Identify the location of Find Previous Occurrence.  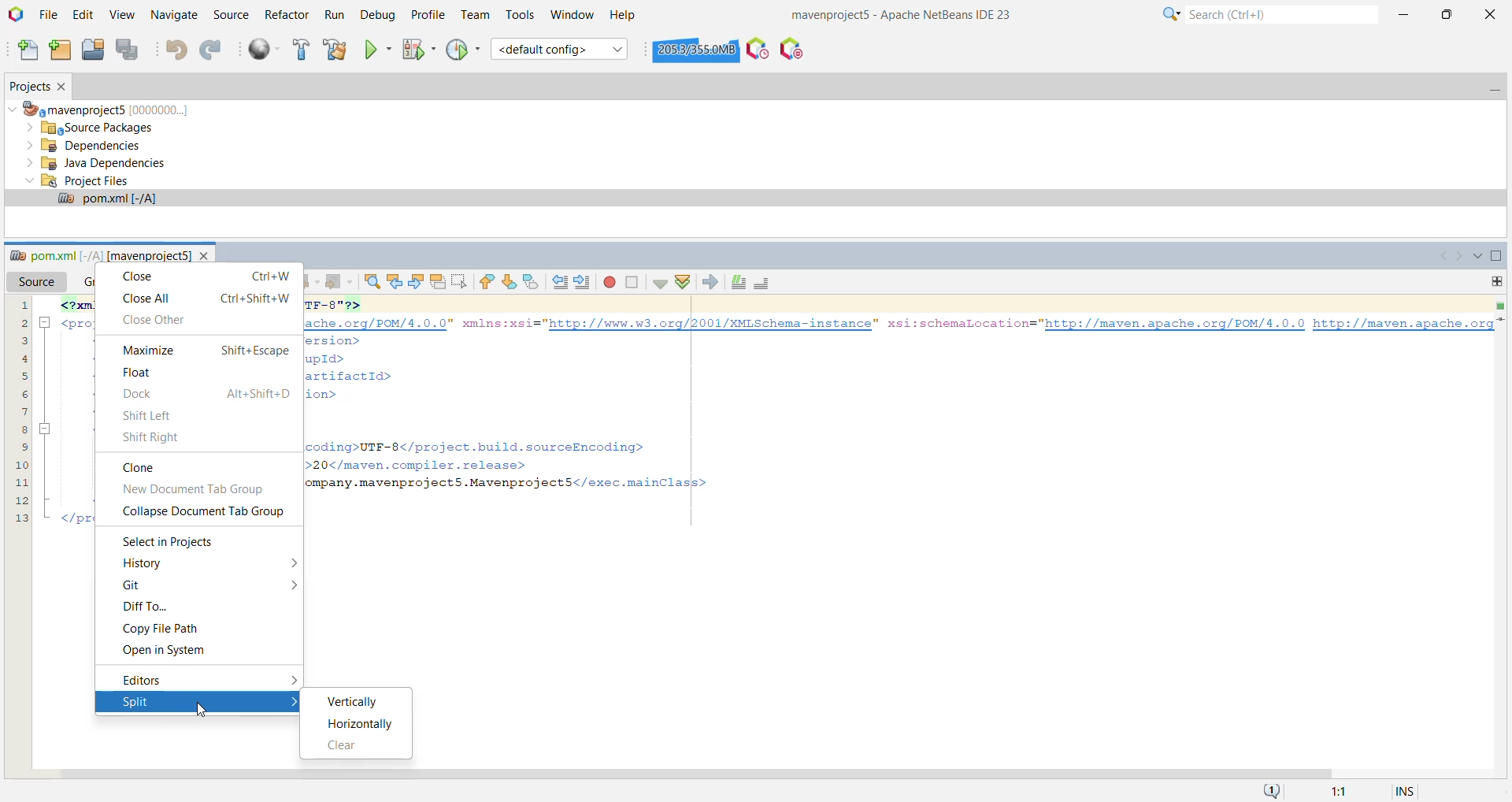
(395, 283).